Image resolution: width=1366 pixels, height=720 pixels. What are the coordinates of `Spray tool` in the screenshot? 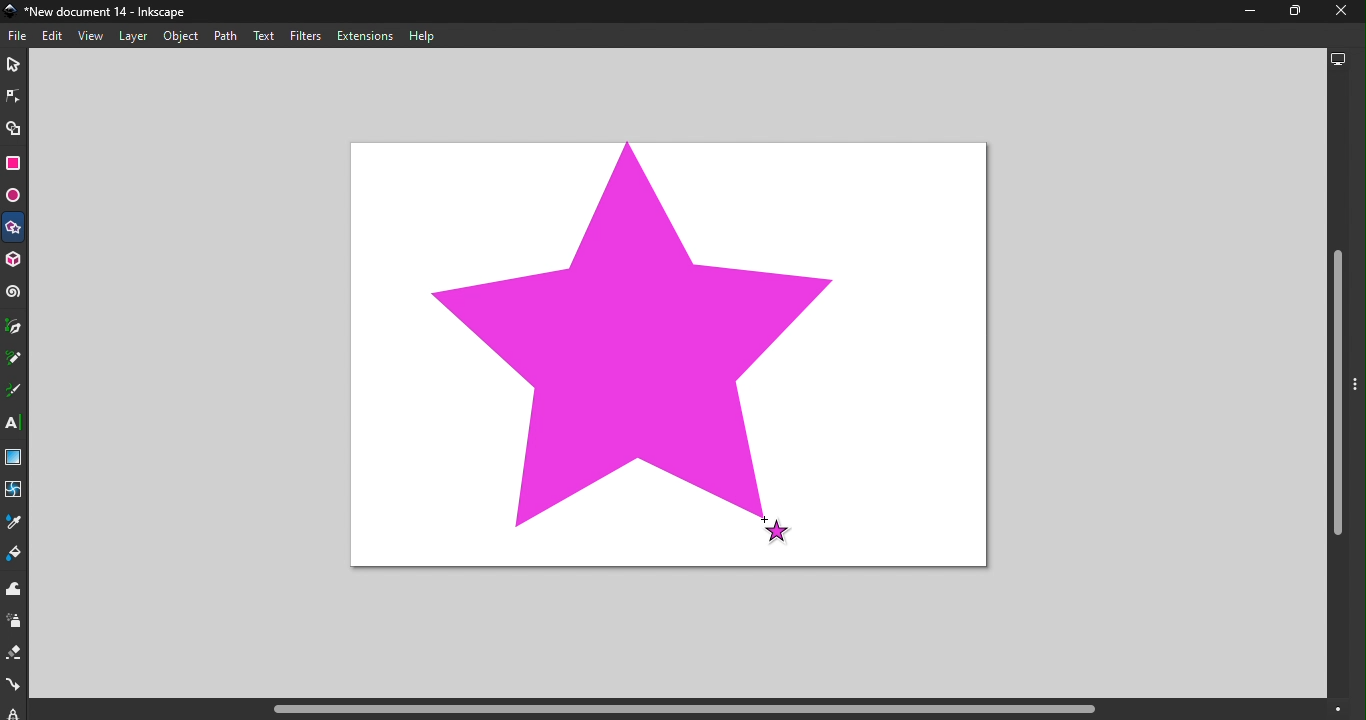 It's located at (15, 621).